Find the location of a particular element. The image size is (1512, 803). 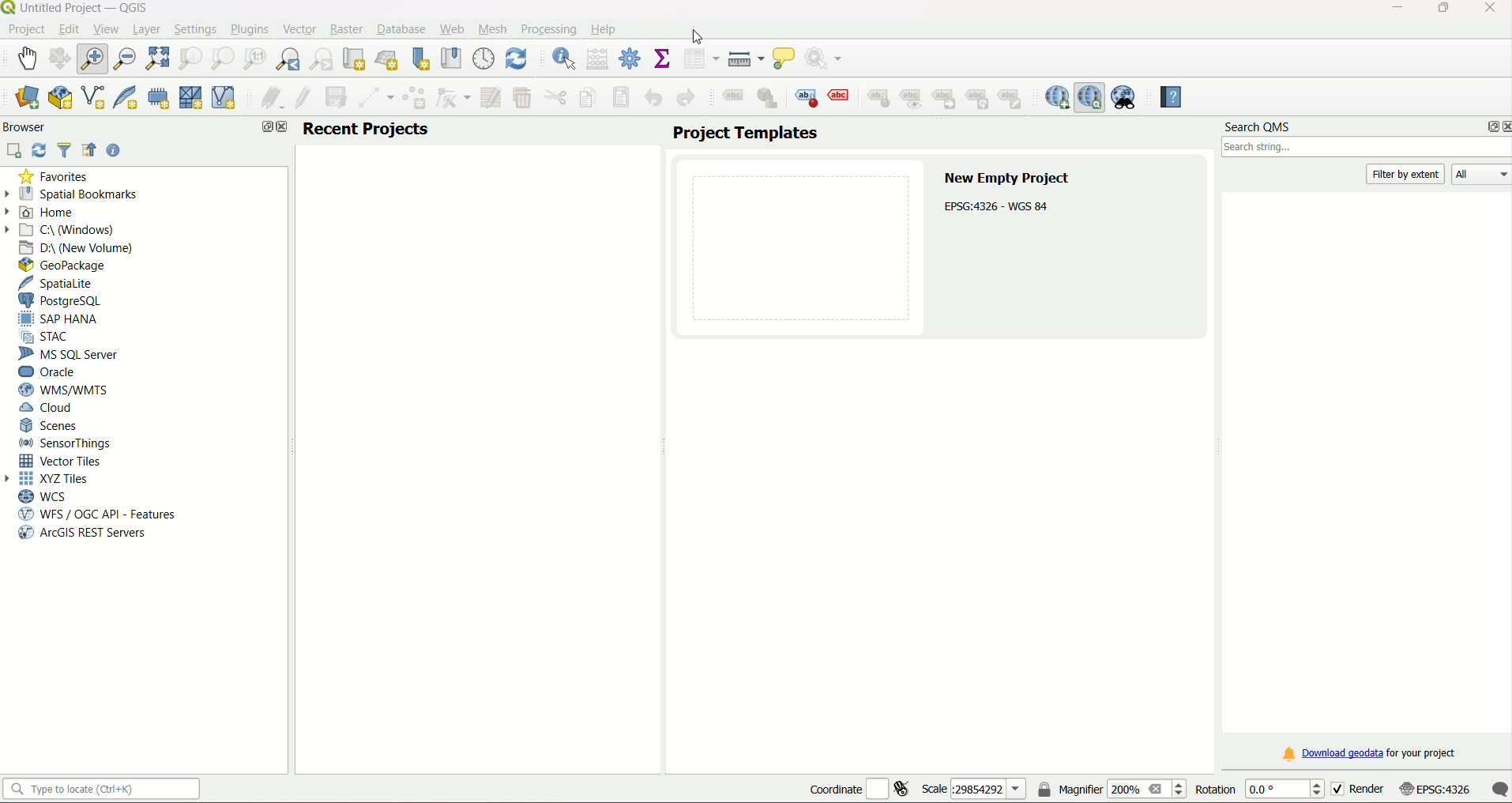

measure line is located at coordinates (746, 59).